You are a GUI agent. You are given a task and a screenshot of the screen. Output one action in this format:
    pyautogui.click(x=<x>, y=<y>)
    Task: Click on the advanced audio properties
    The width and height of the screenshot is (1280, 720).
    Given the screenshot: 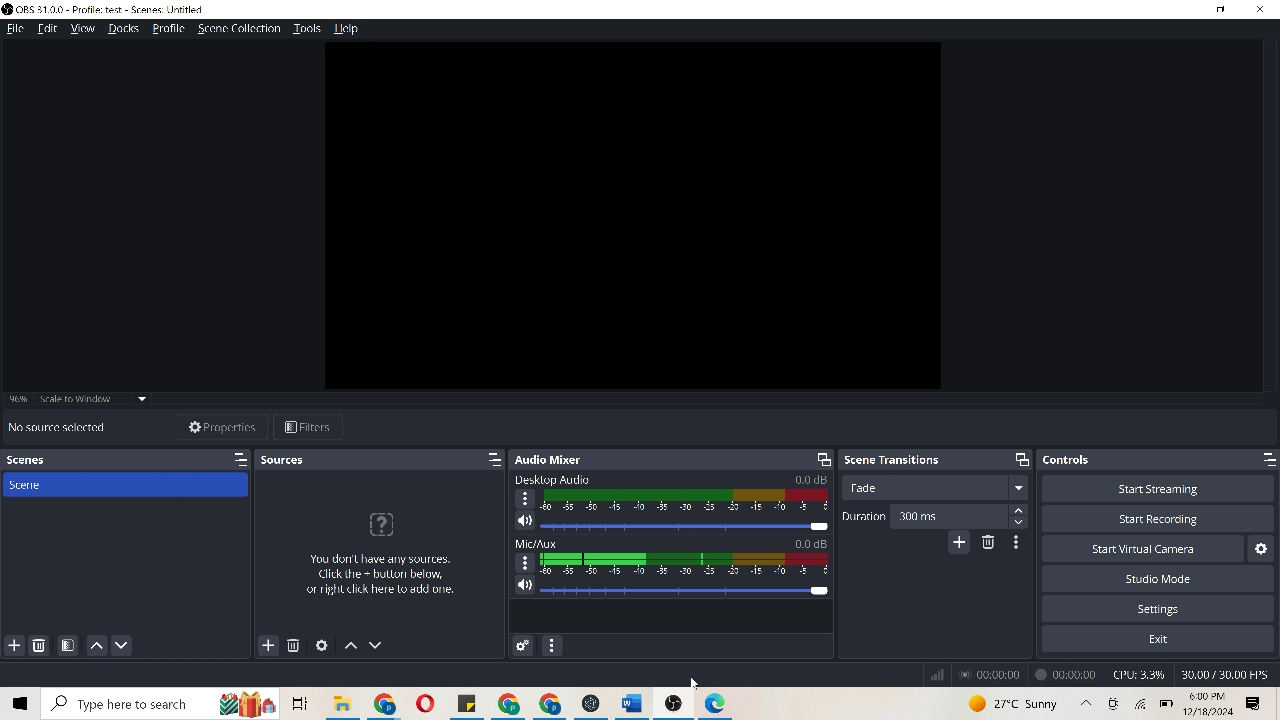 What is the action you would take?
    pyautogui.click(x=520, y=645)
    